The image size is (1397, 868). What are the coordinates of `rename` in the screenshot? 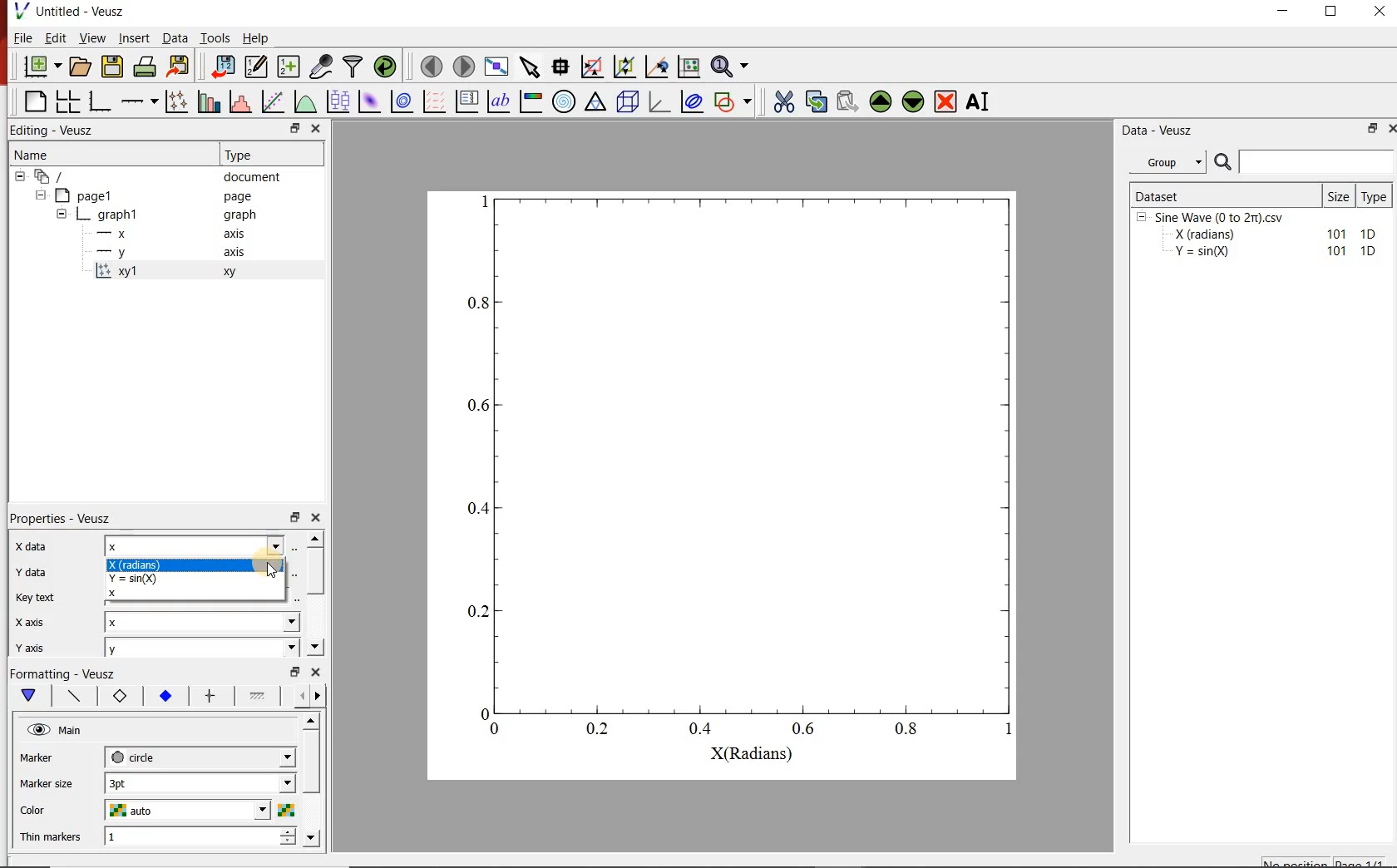 It's located at (981, 103).